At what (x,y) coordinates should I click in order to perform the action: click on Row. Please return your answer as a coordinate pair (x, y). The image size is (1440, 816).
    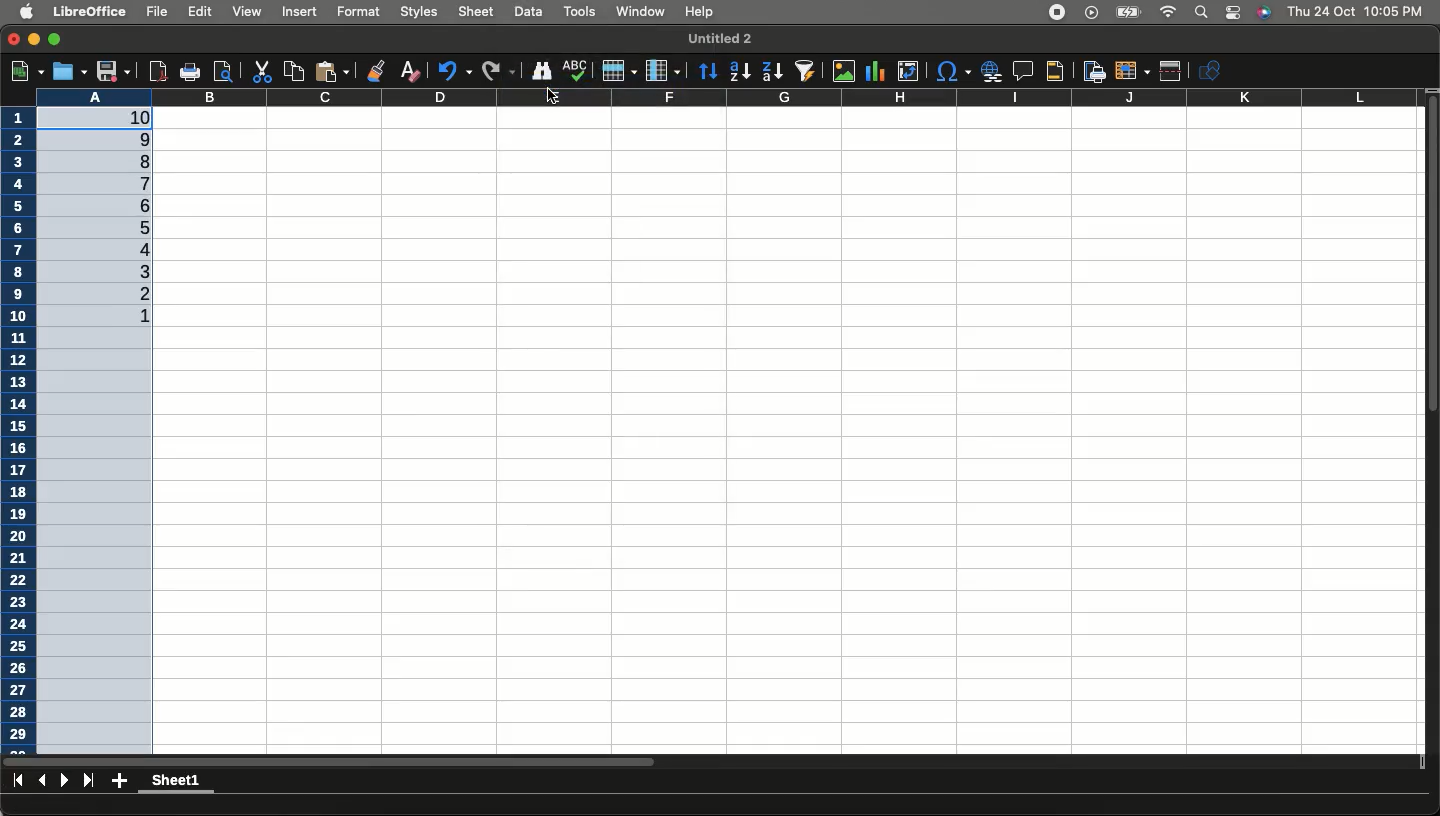
    Looking at the image, I should click on (619, 70).